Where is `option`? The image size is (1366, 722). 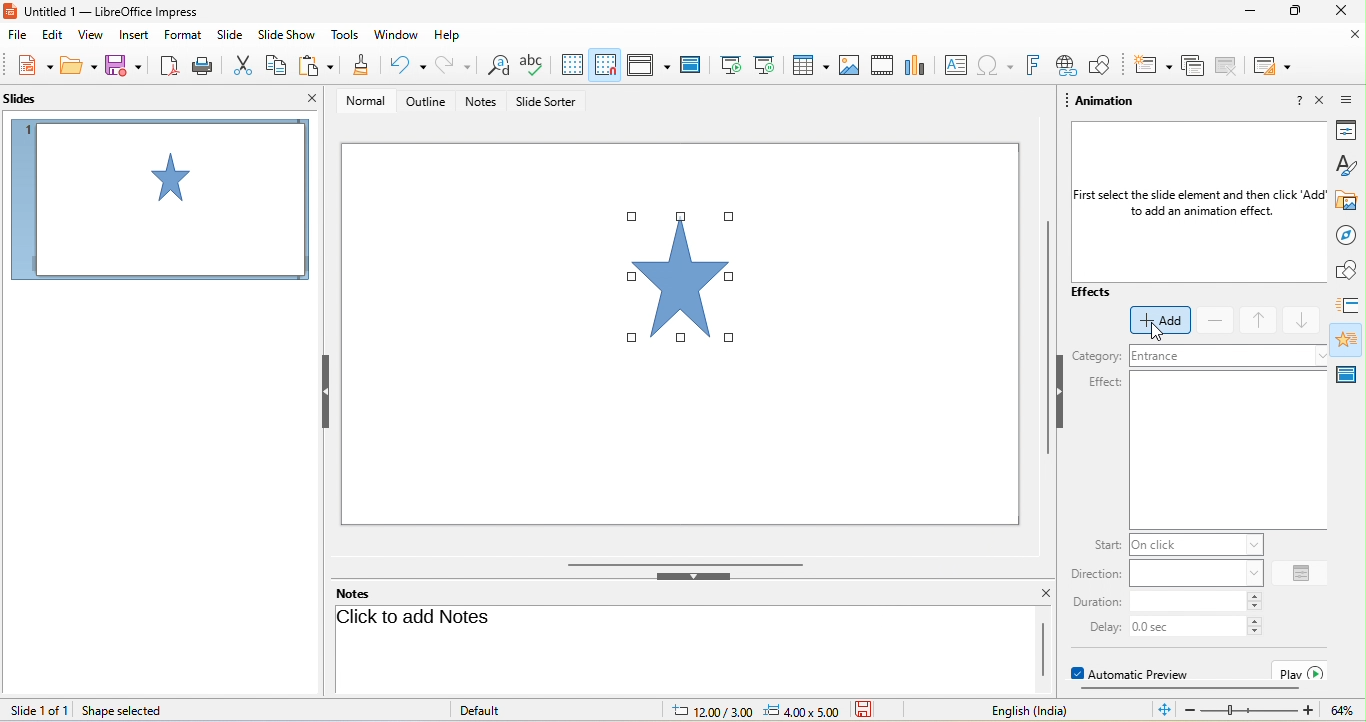 option is located at coordinates (1302, 572).